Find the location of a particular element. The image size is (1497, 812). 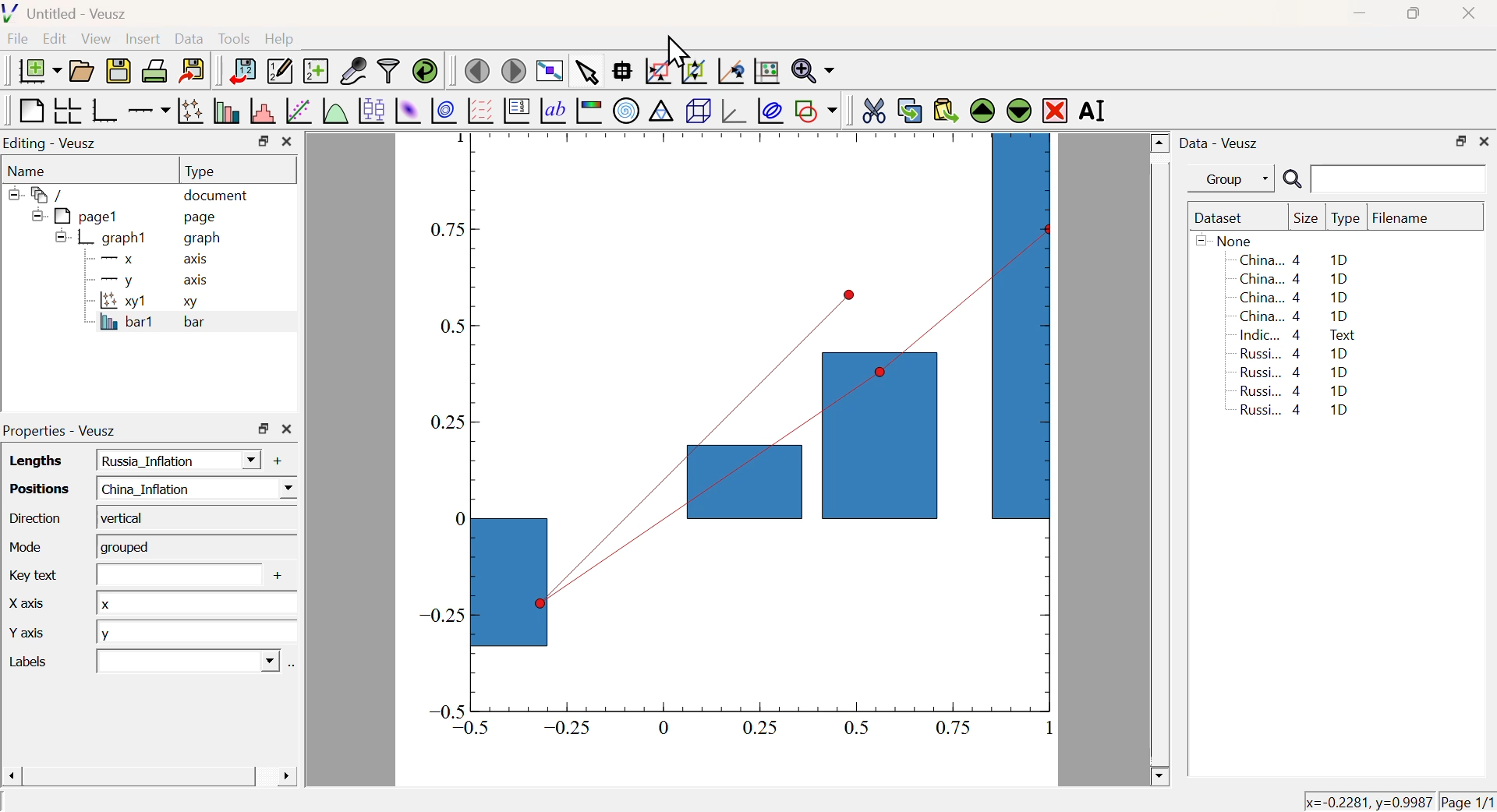

Russi... 4 1D is located at coordinates (1294, 372).